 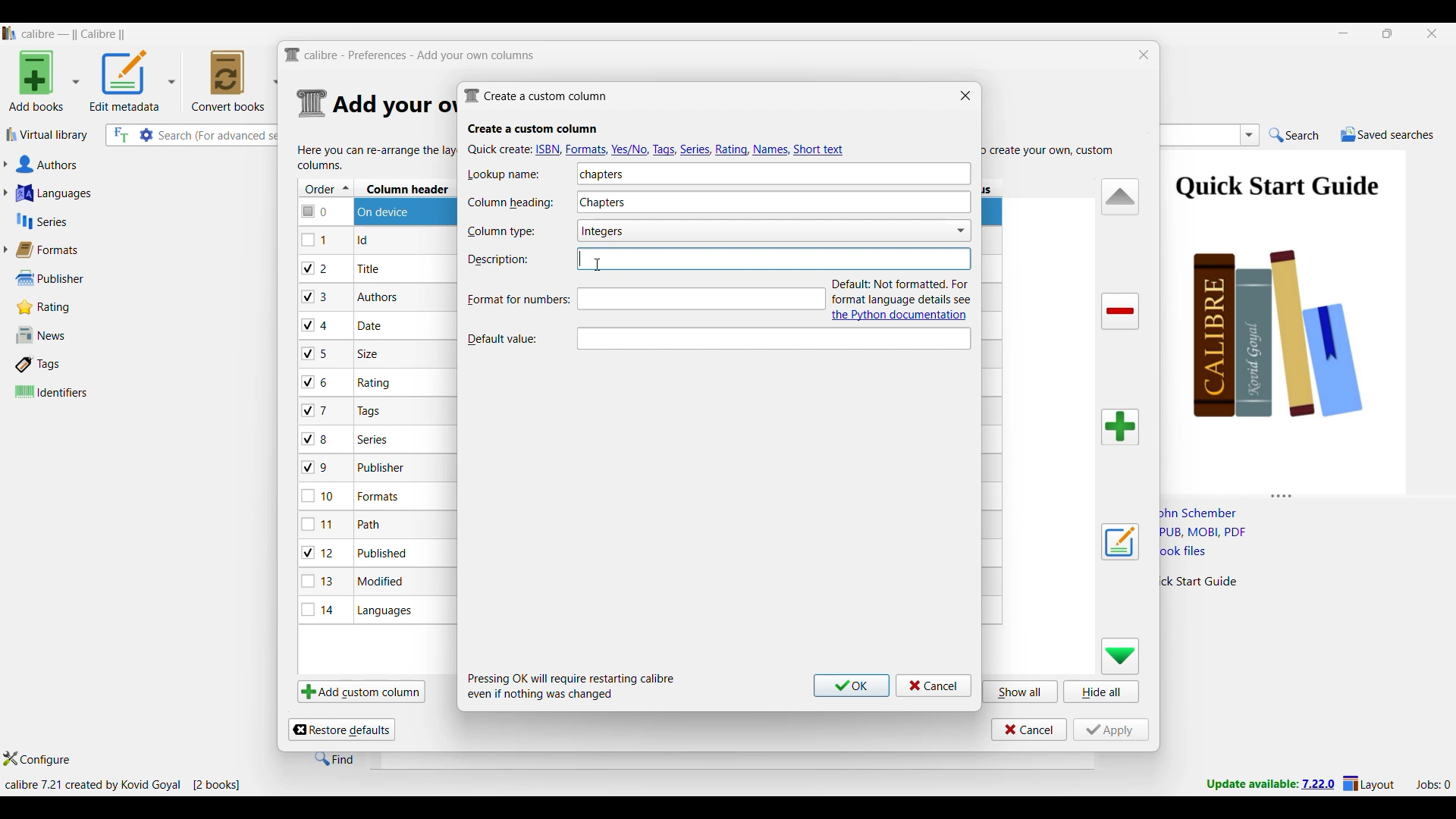 I want to click on Options to edit metadata, so click(x=133, y=80).